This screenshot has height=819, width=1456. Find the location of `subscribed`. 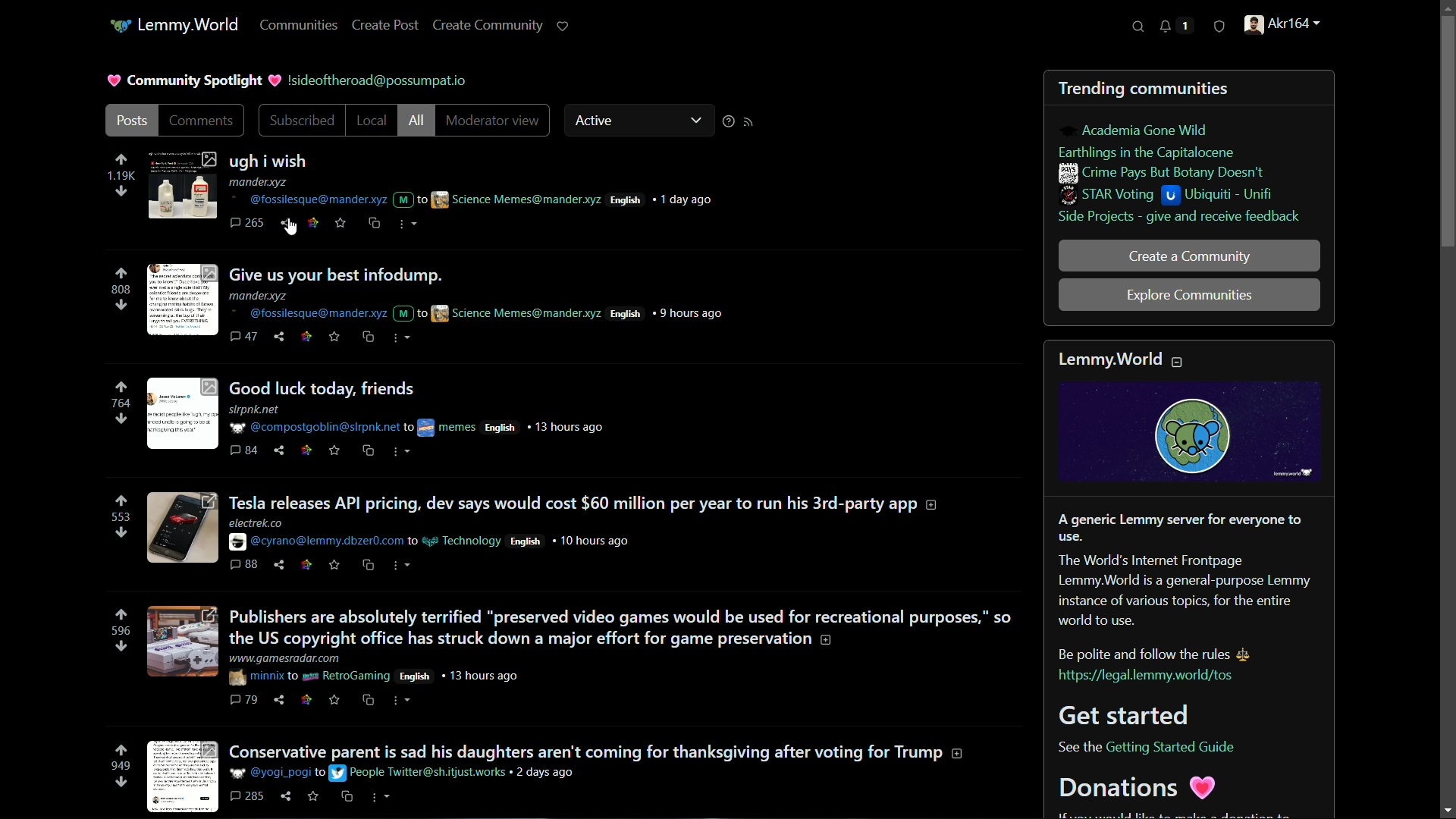

subscribed is located at coordinates (303, 122).